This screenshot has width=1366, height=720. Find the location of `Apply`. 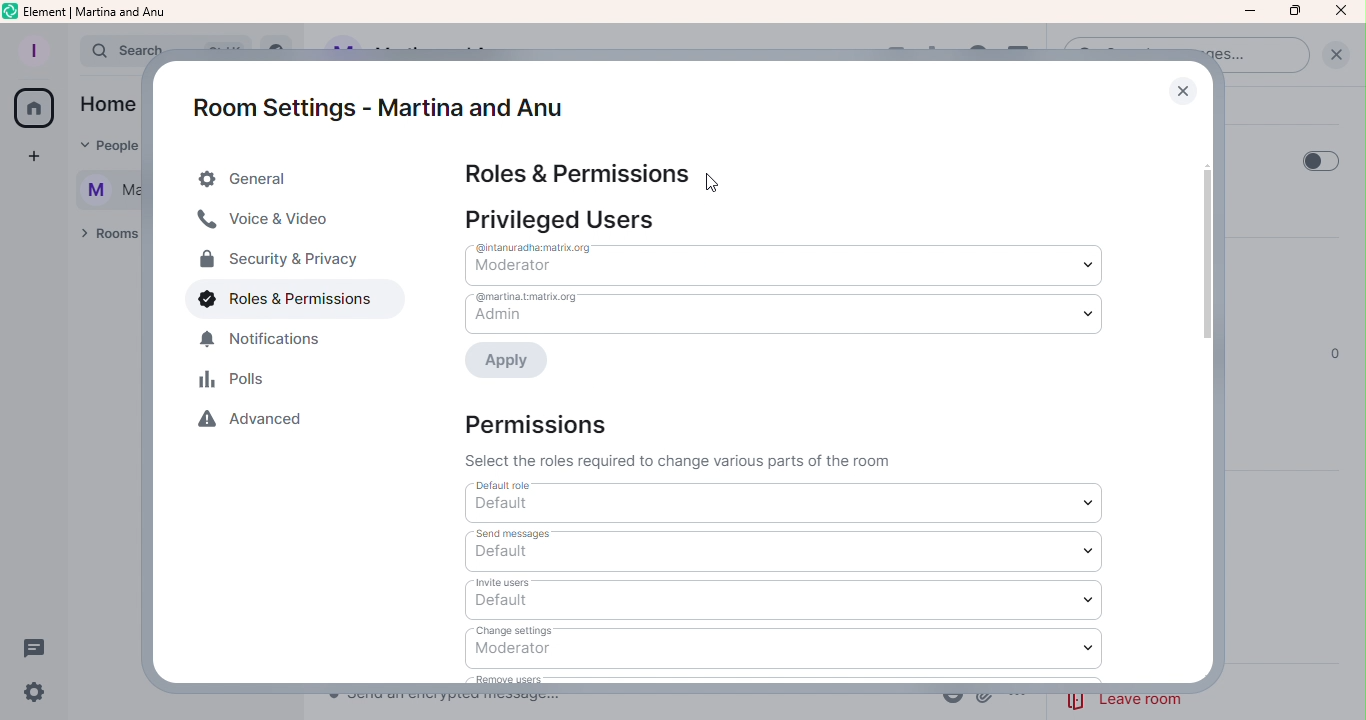

Apply is located at coordinates (514, 363).